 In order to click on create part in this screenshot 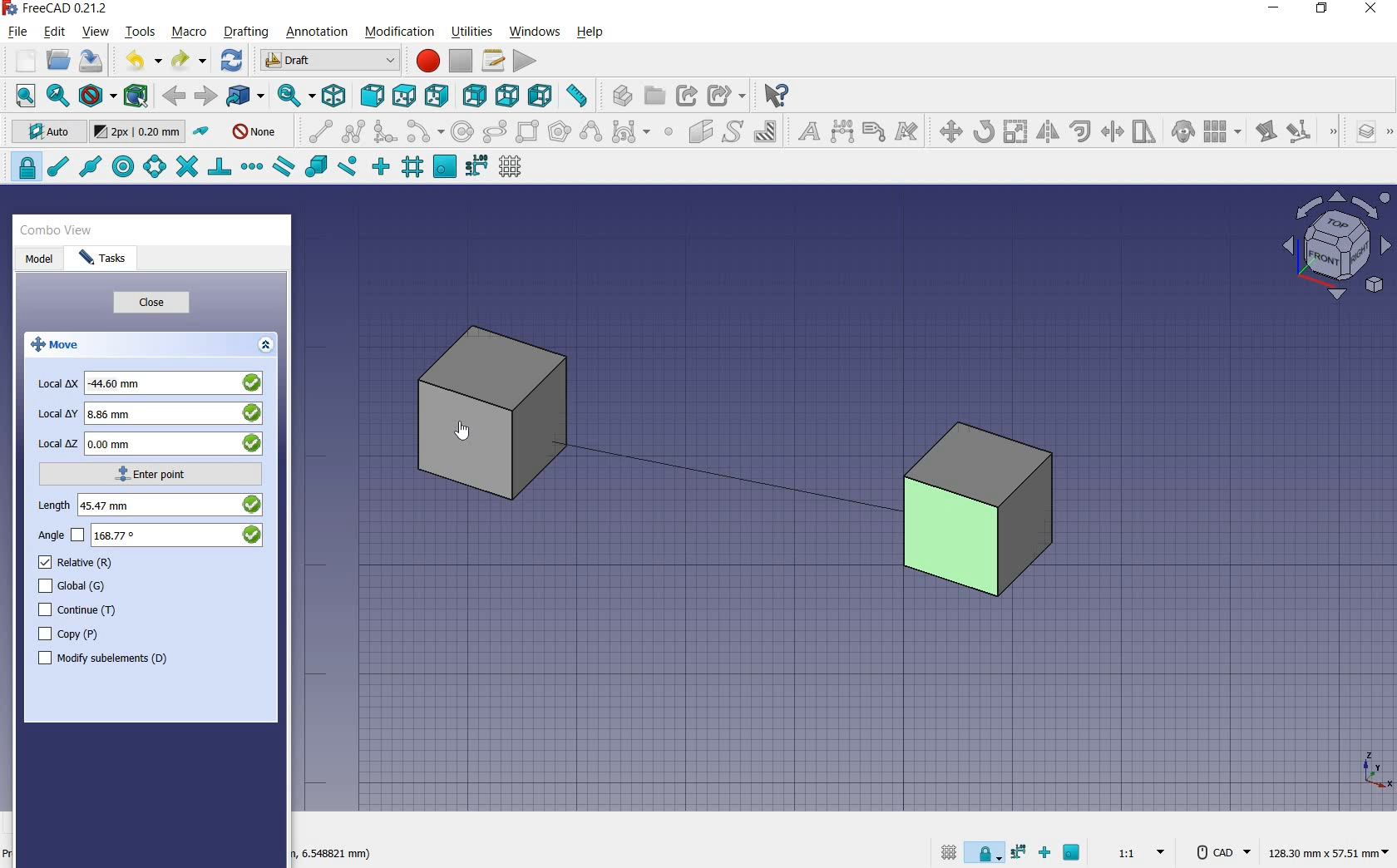, I will do `click(618, 95)`.